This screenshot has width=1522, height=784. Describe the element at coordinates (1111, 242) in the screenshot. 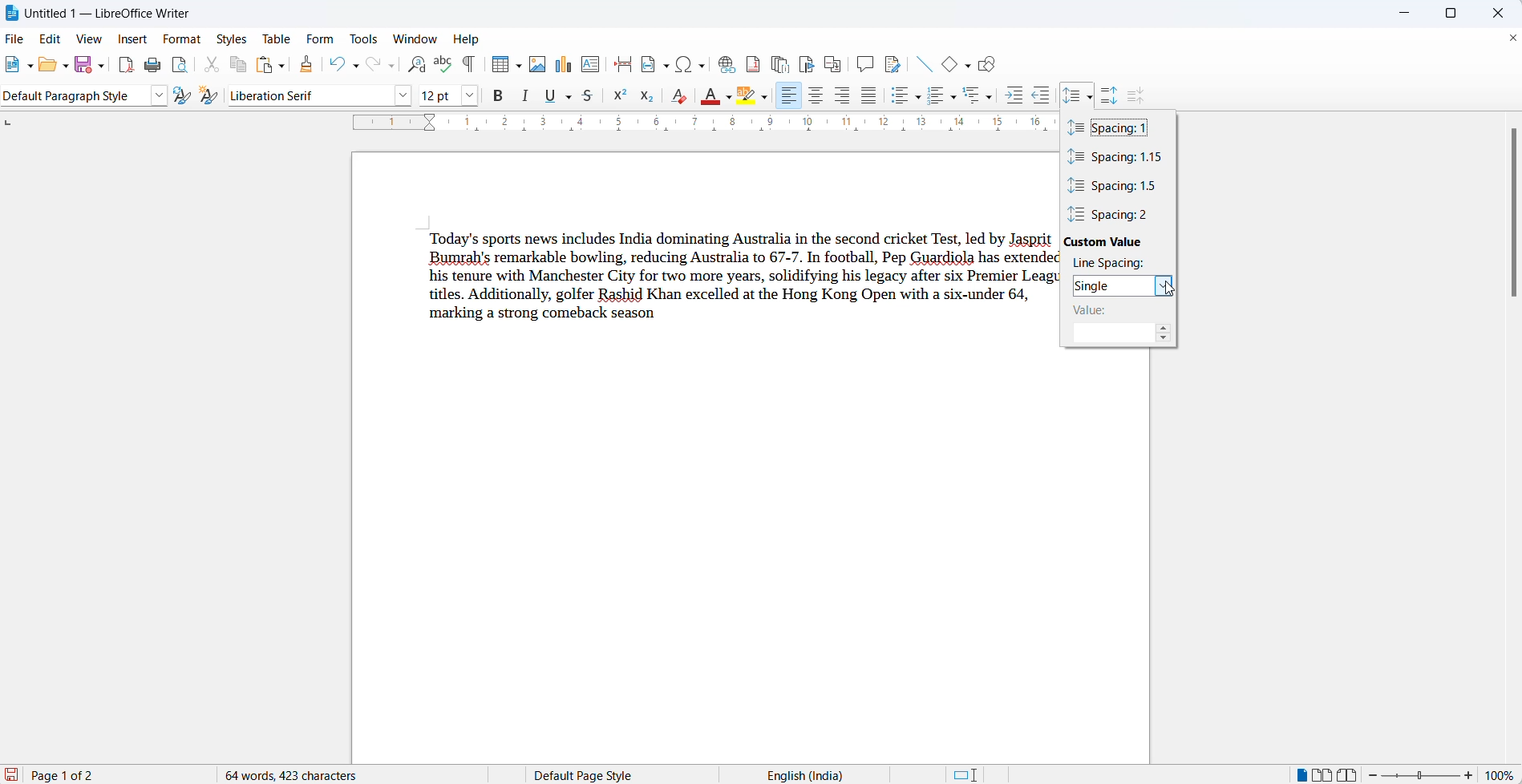

I see `custom value heading` at that location.